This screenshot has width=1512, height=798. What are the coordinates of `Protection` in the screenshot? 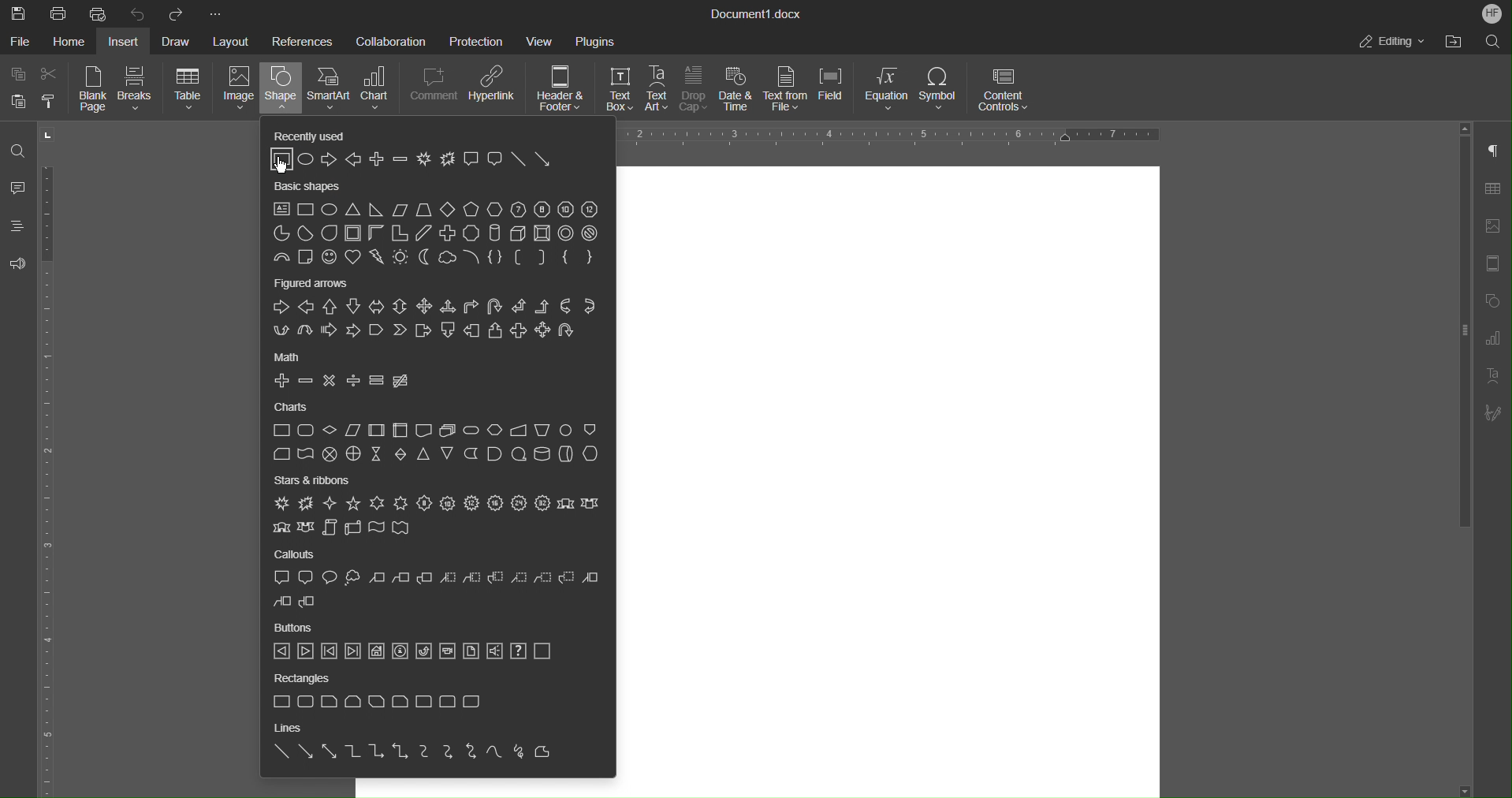 It's located at (478, 40).